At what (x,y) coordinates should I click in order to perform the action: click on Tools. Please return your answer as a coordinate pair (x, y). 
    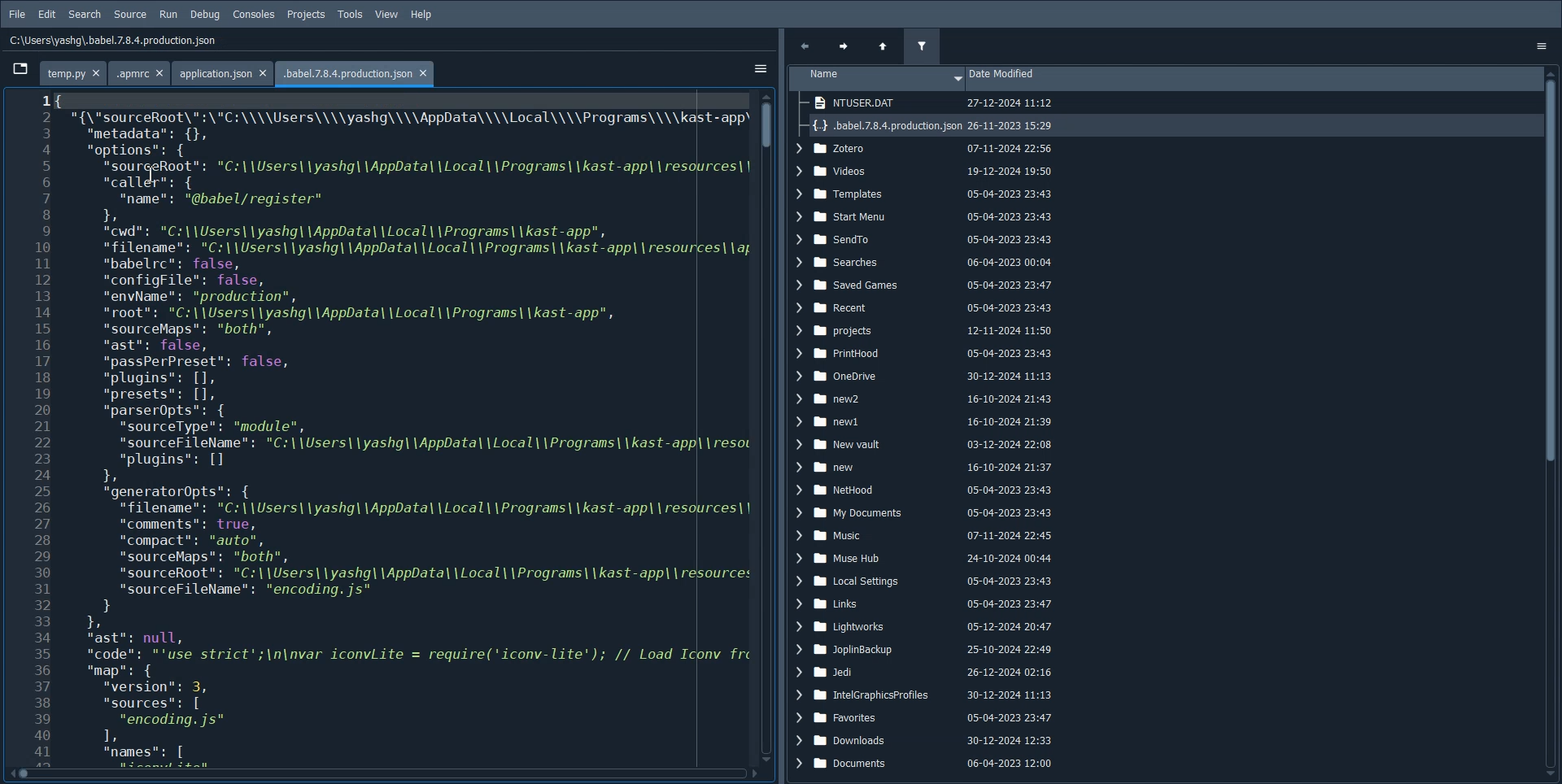
    Looking at the image, I should click on (351, 15).